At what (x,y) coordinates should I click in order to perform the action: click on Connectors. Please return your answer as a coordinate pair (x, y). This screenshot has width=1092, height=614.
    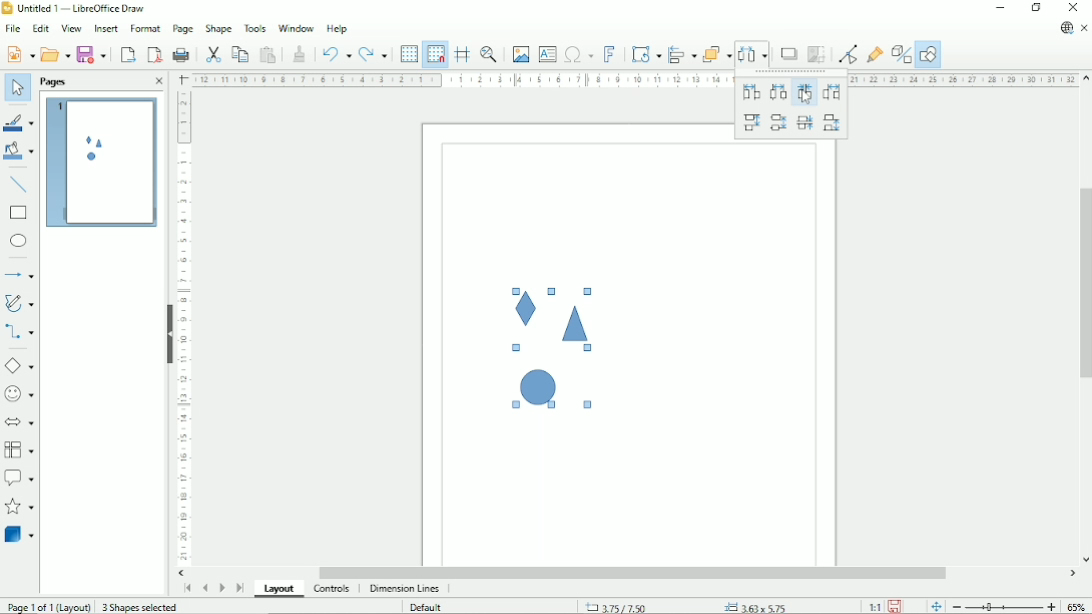
    Looking at the image, I should click on (19, 333).